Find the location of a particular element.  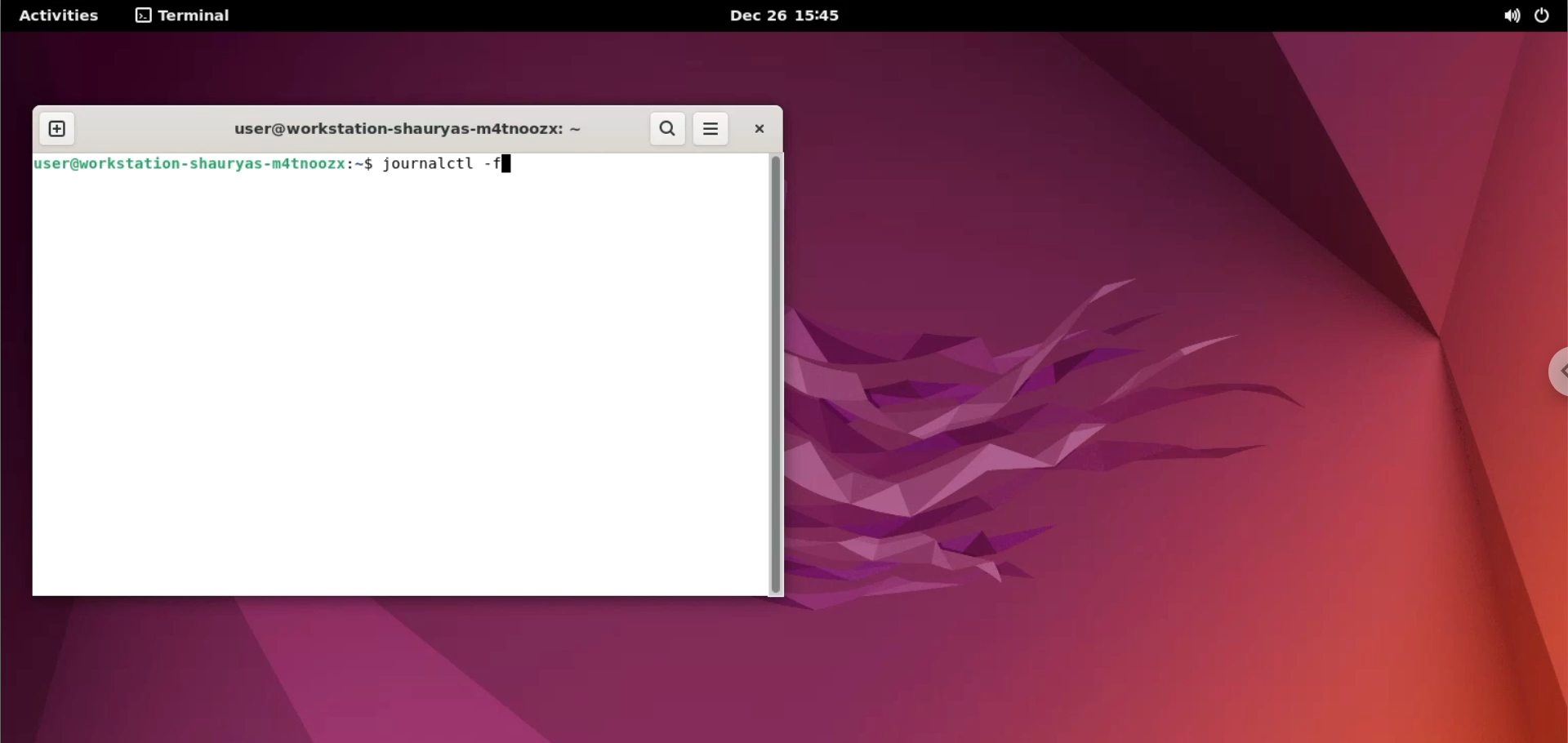

terminal is located at coordinates (185, 17).